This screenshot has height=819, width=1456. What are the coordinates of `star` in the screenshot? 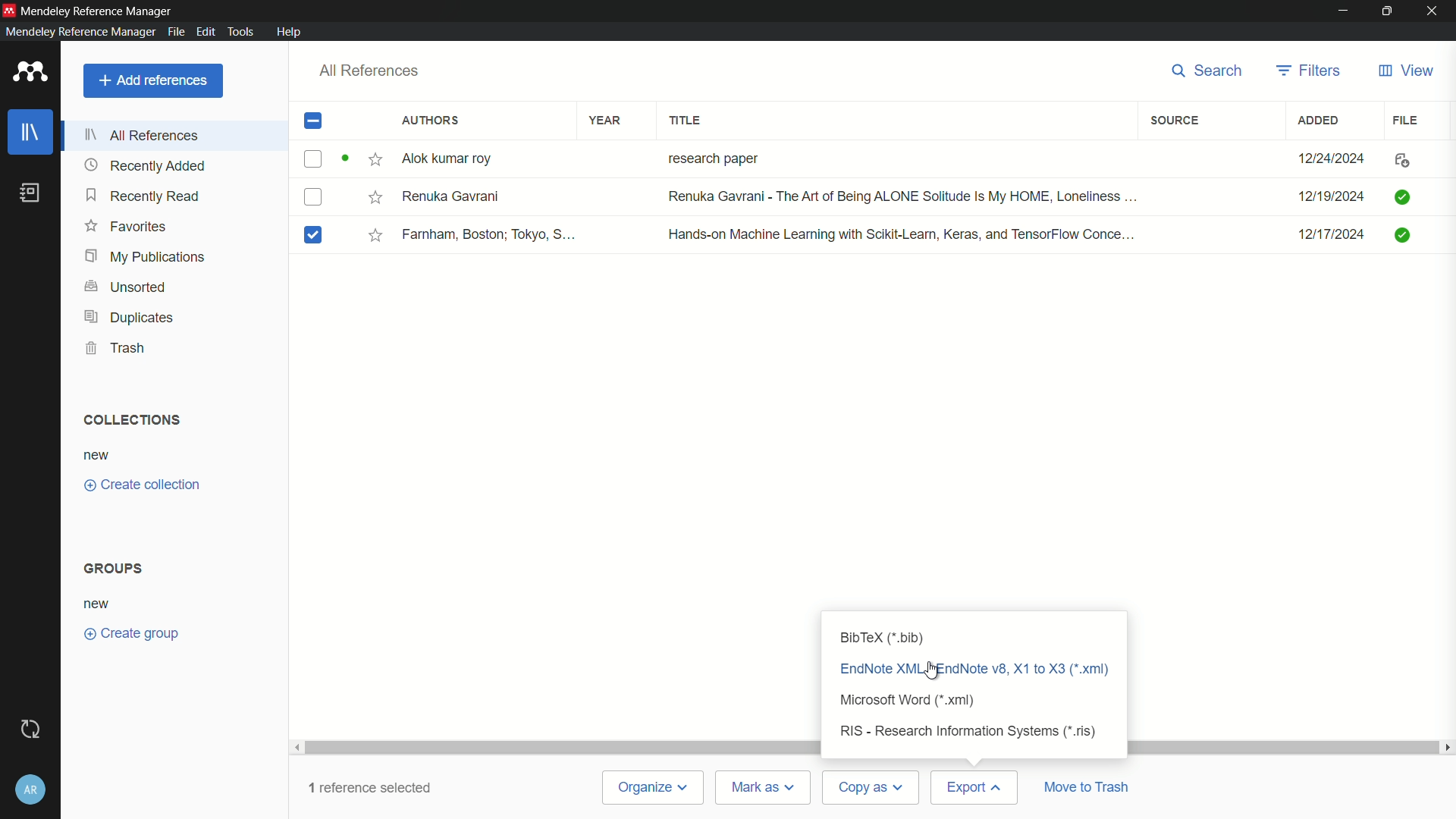 It's located at (375, 199).